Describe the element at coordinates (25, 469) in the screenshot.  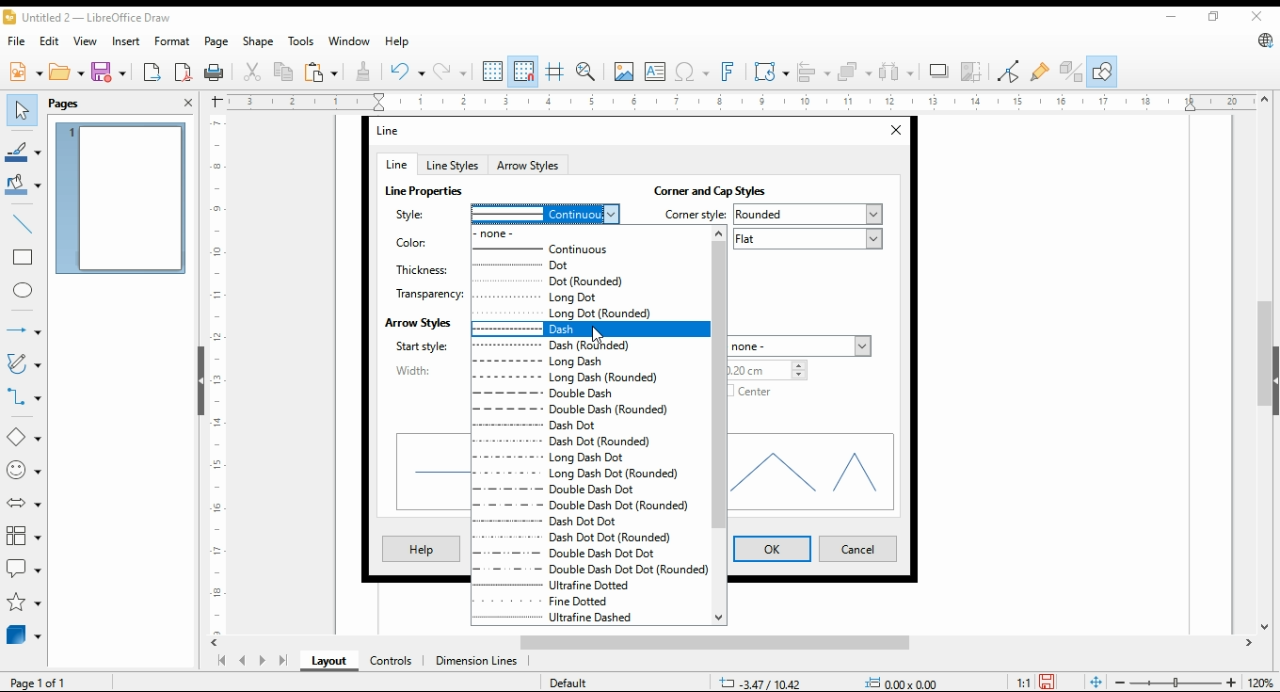
I see `symbol shapes` at that location.